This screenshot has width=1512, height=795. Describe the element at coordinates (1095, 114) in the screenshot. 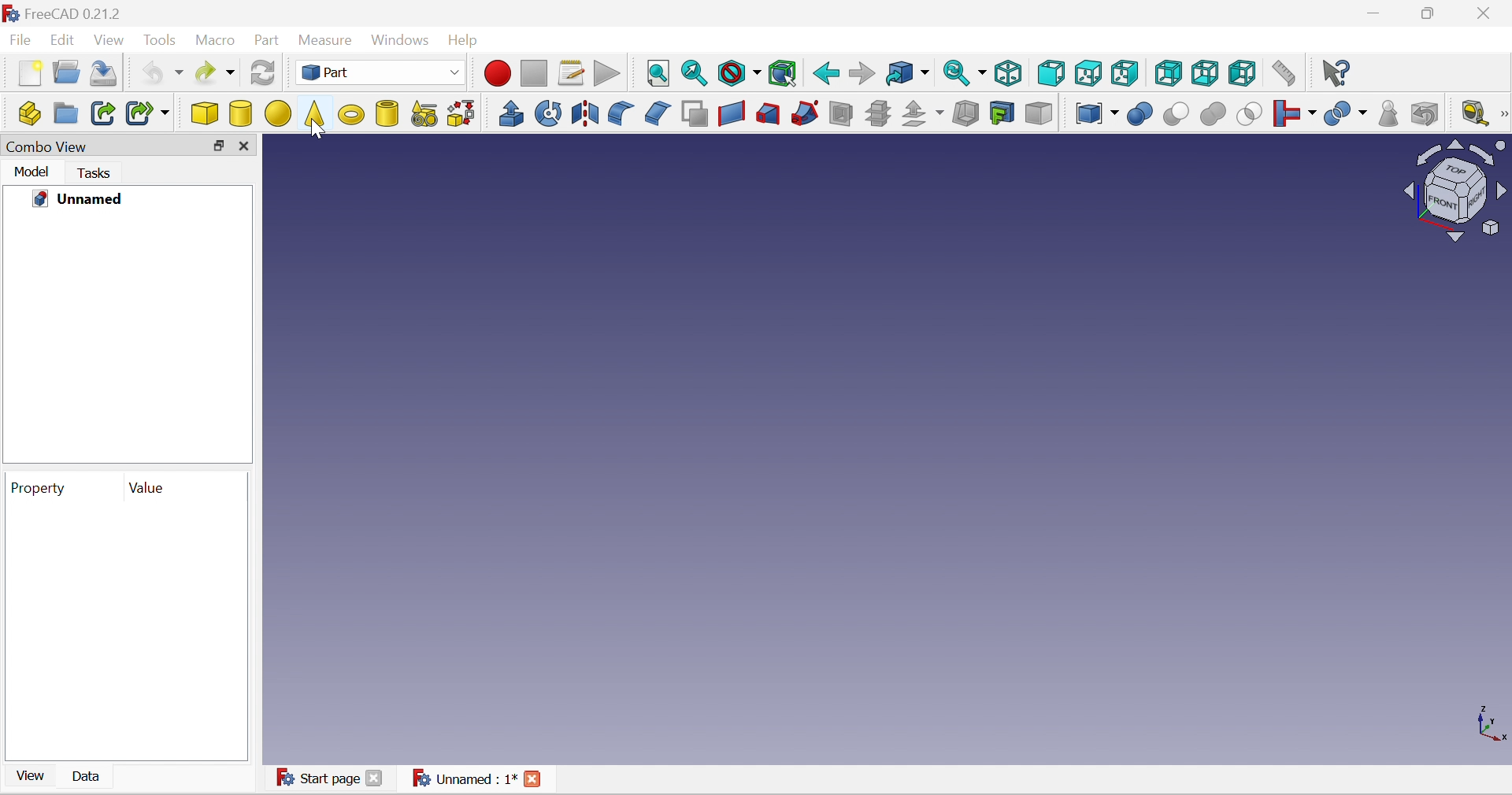

I see `Compound tools` at that location.